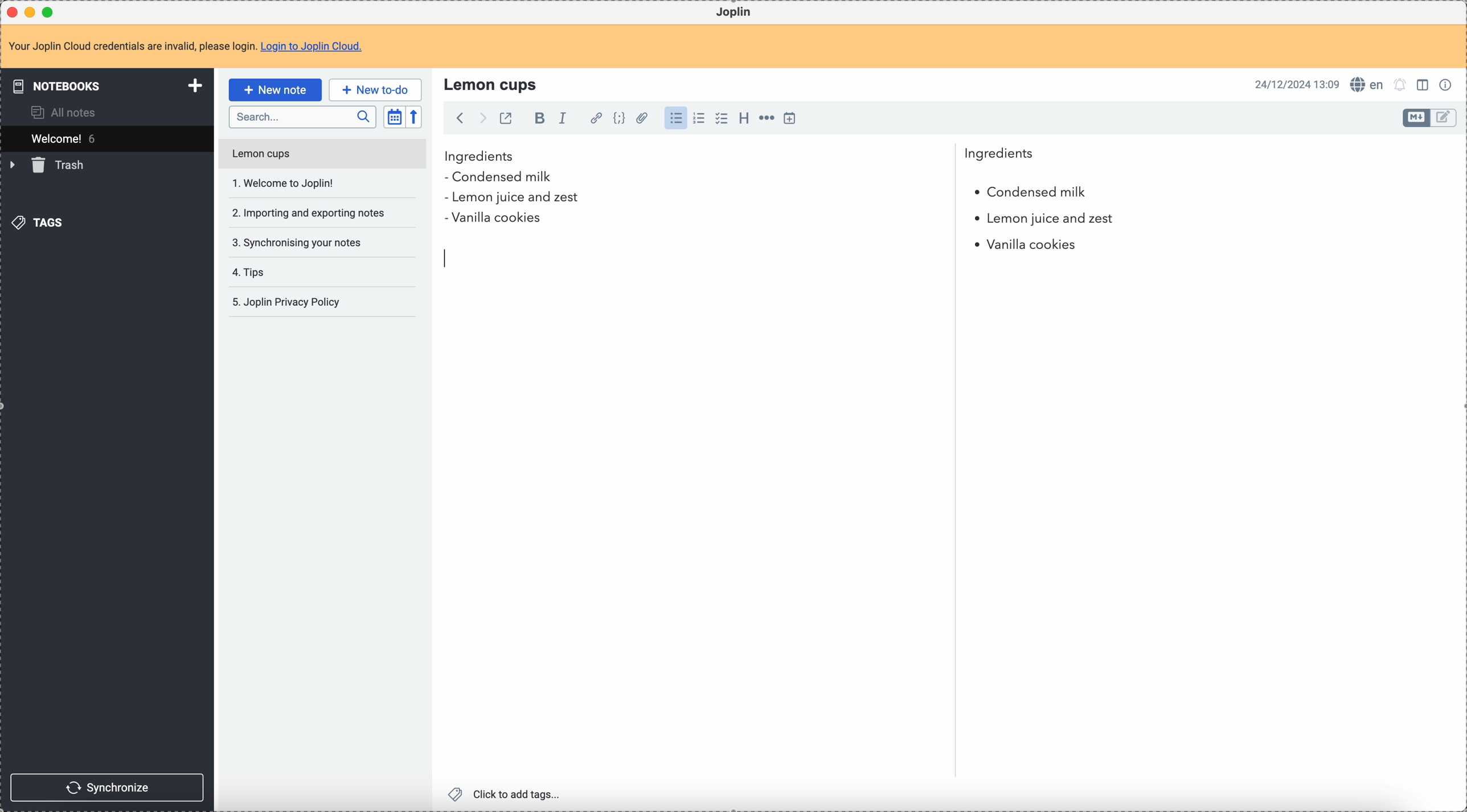  What do you see at coordinates (511, 199) in the screenshot?
I see `lemon juice and zest` at bounding box center [511, 199].